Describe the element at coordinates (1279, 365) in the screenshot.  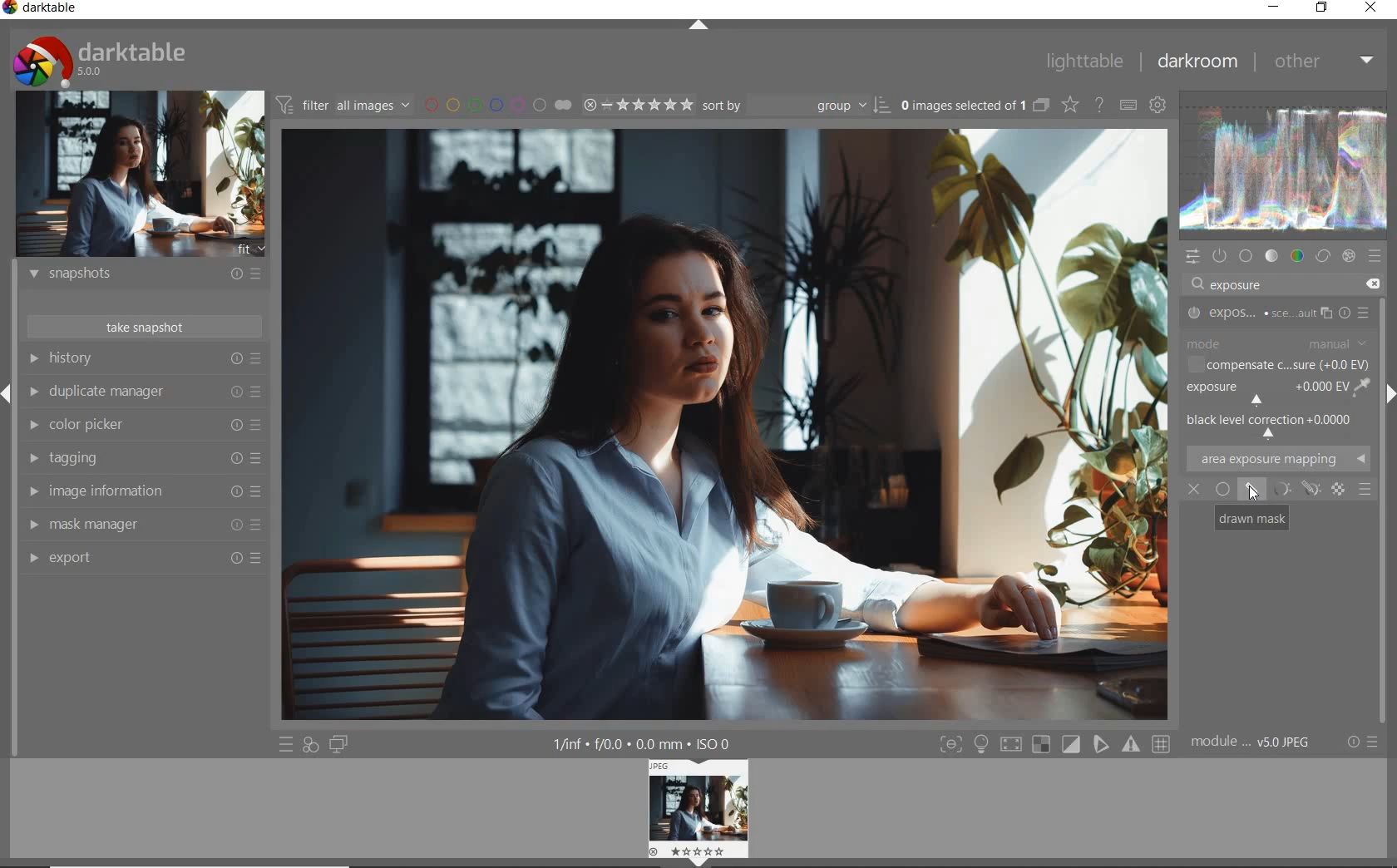
I see `COMPENSATE C...SURE` at that location.